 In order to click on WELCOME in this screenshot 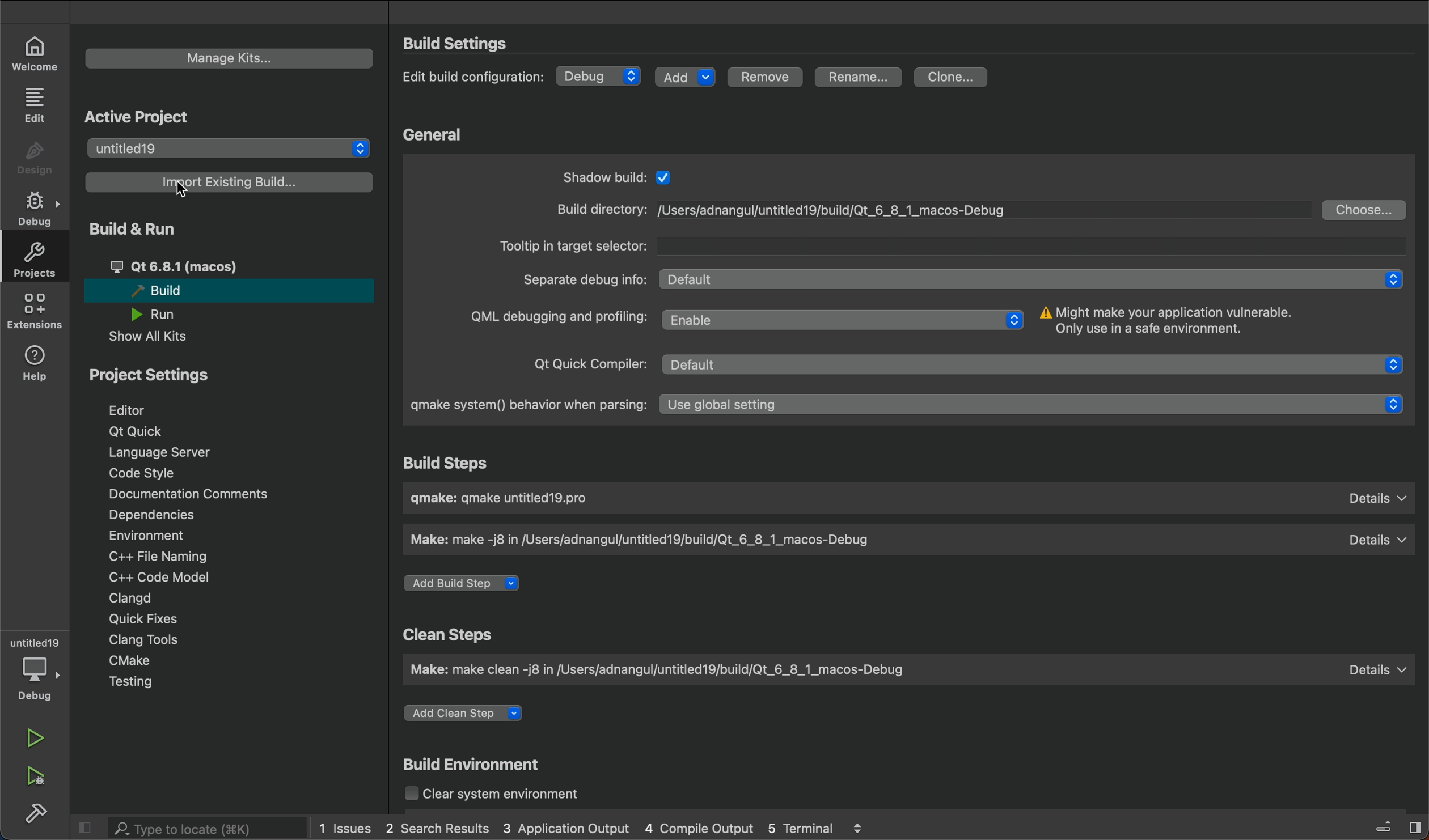, I will do `click(36, 52)`.